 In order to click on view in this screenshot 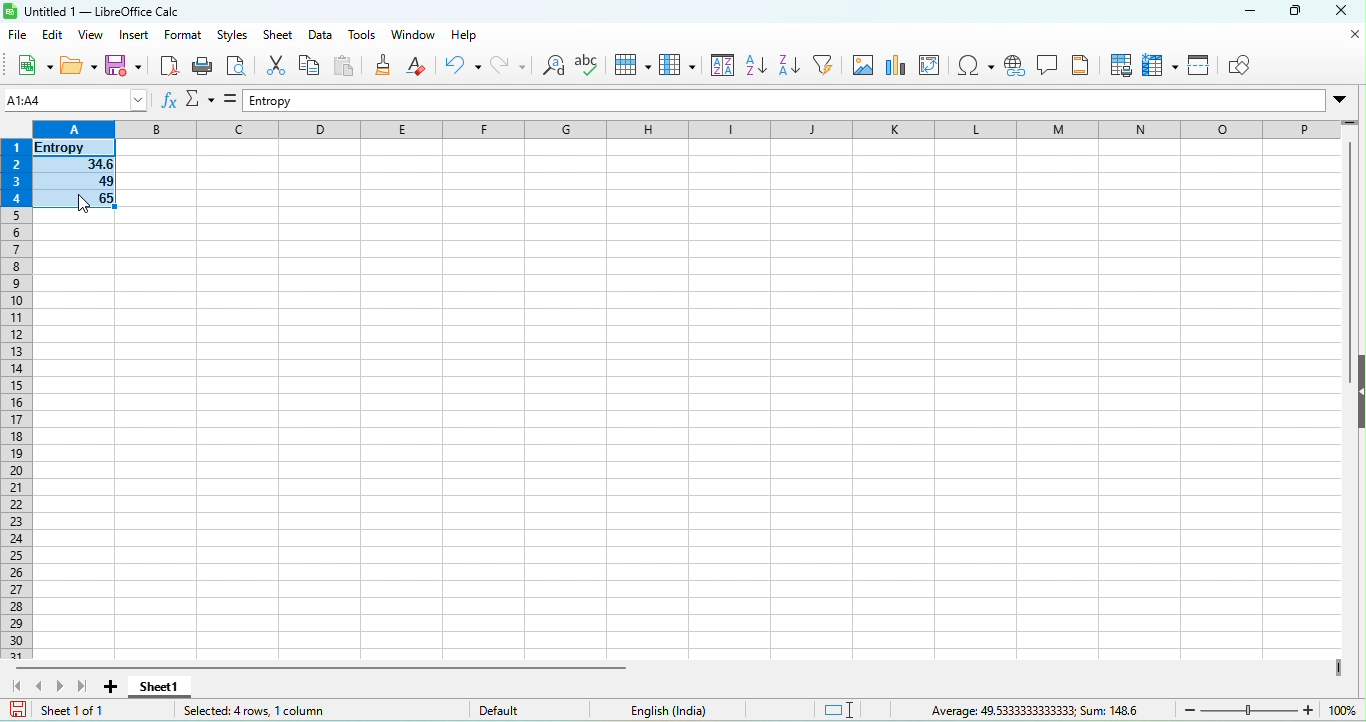, I will do `click(93, 36)`.